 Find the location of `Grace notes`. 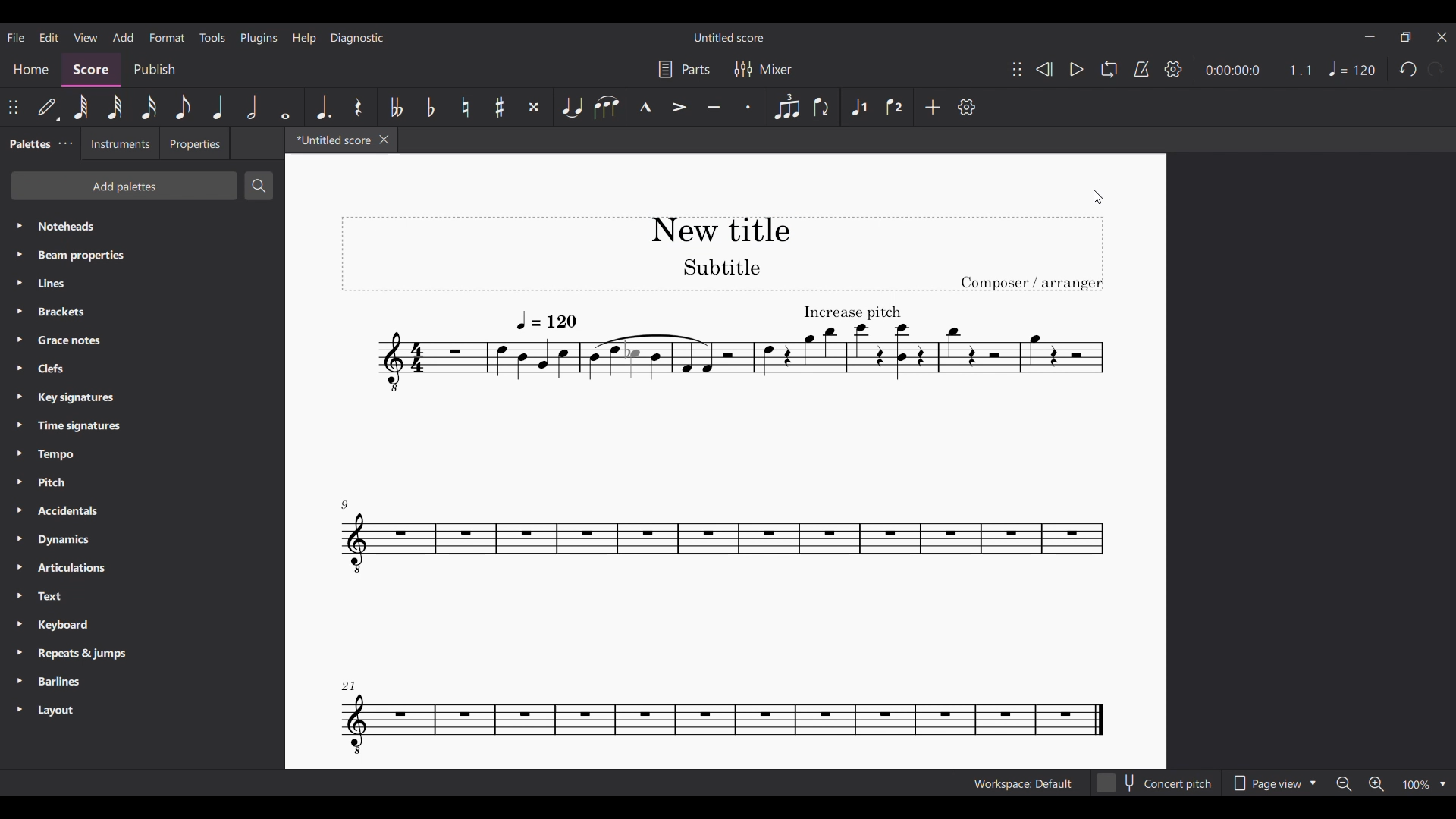

Grace notes is located at coordinates (142, 340).